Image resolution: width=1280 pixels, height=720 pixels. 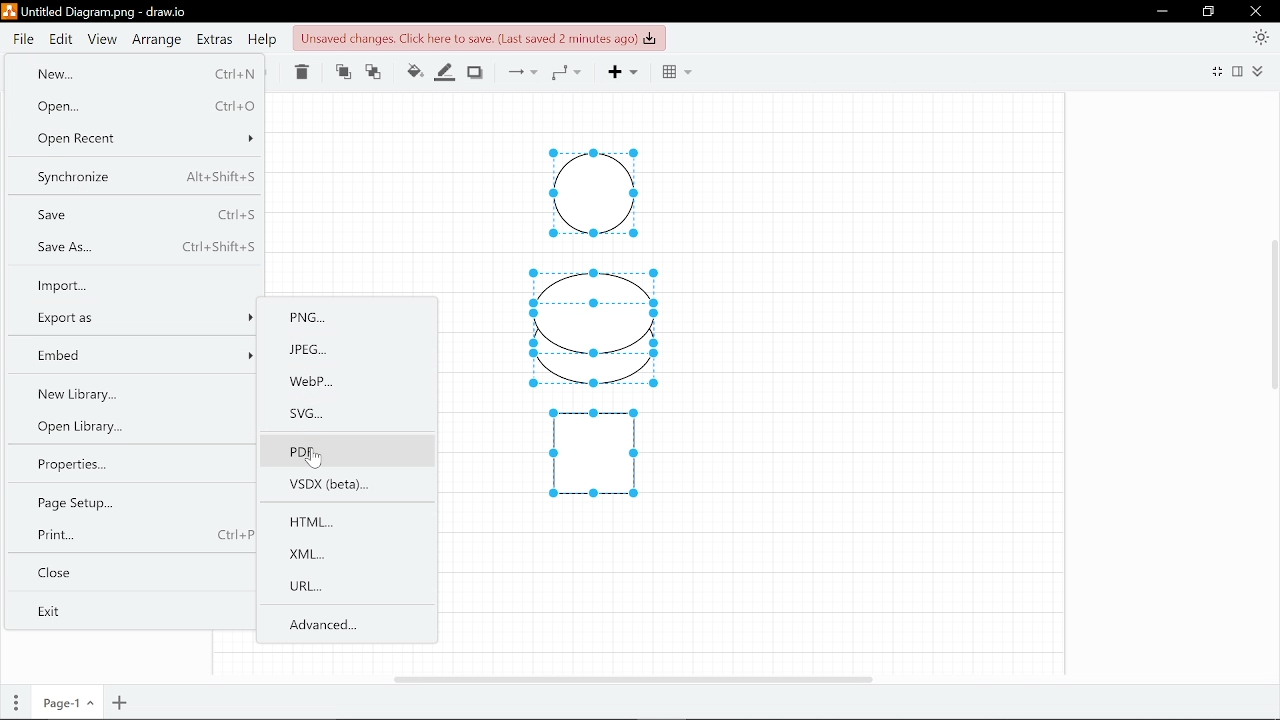 I want to click on Waypoints, so click(x=566, y=71).